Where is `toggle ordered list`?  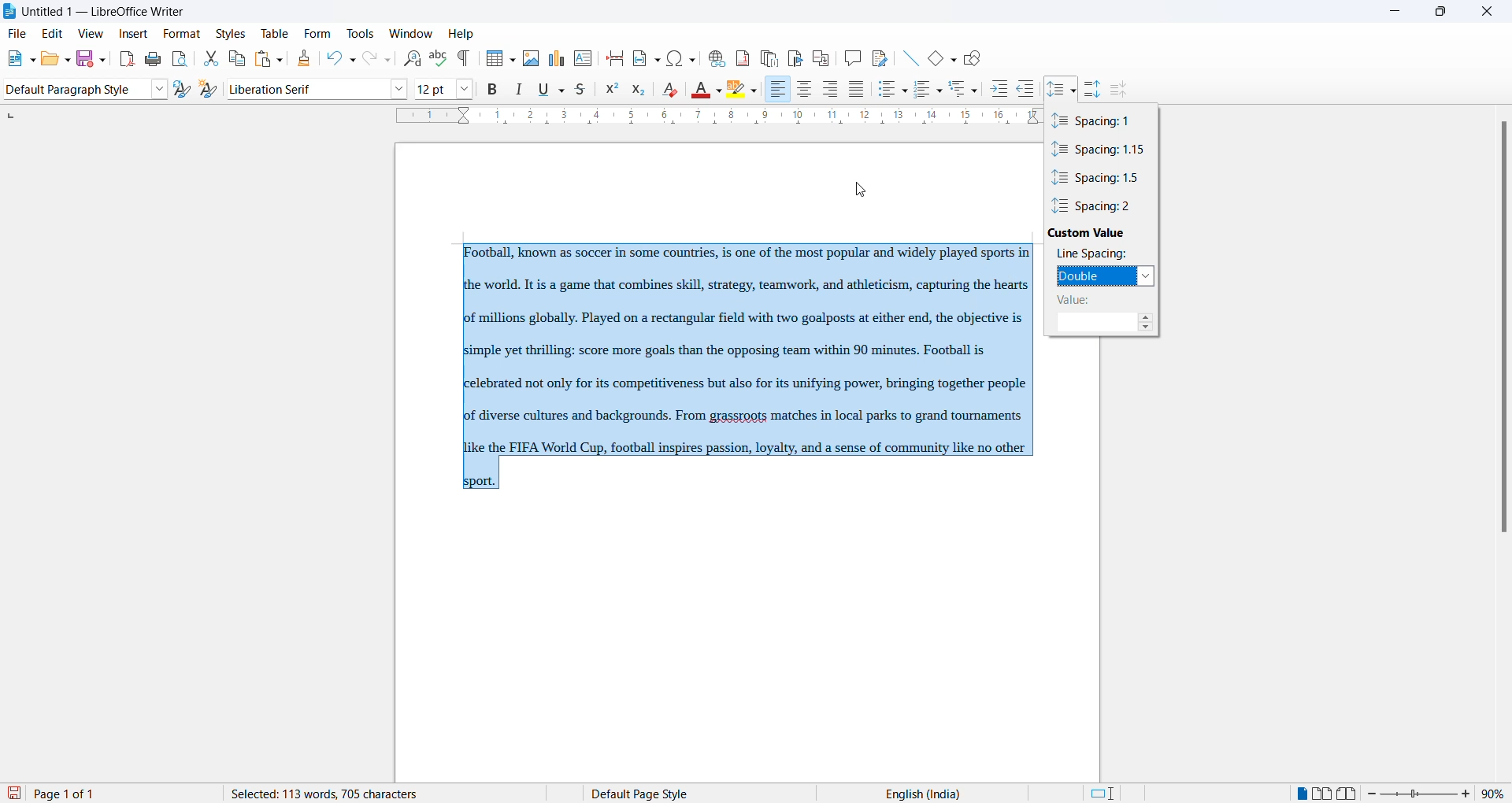 toggle ordered list is located at coordinates (923, 90).